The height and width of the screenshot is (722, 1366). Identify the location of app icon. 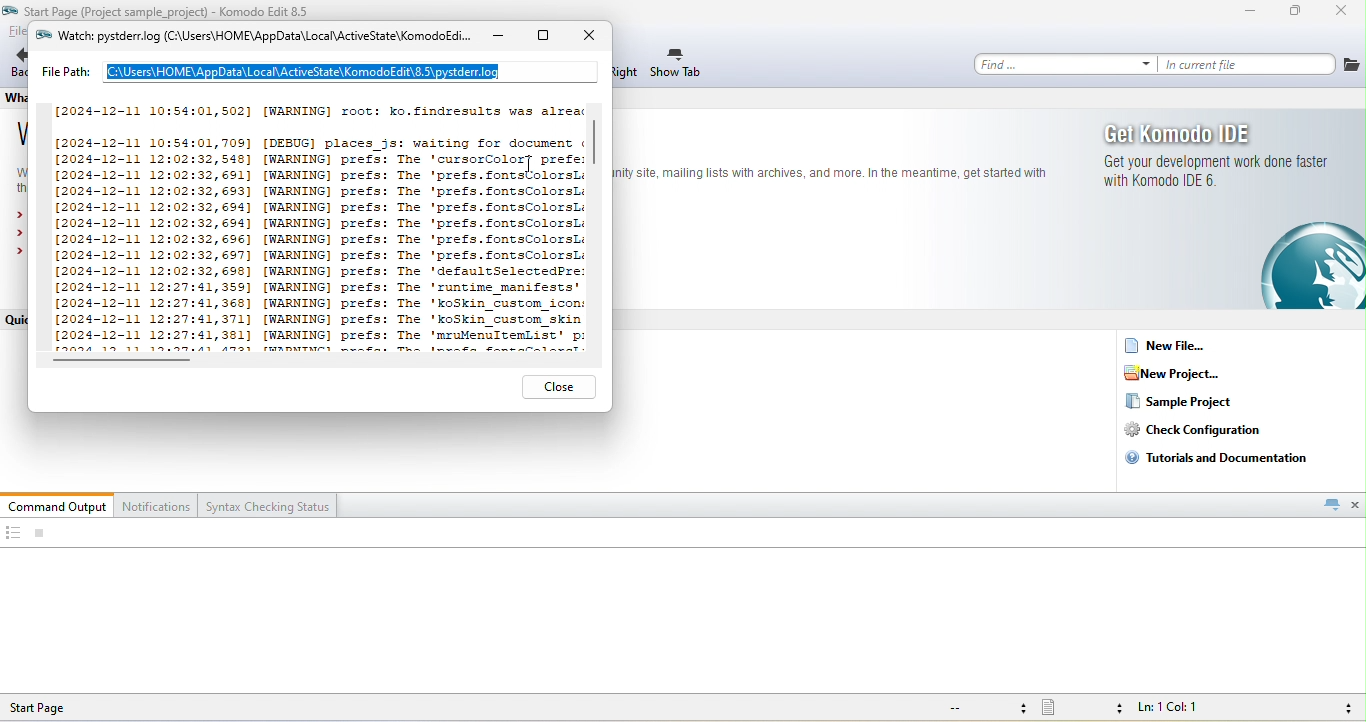
(11, 10).